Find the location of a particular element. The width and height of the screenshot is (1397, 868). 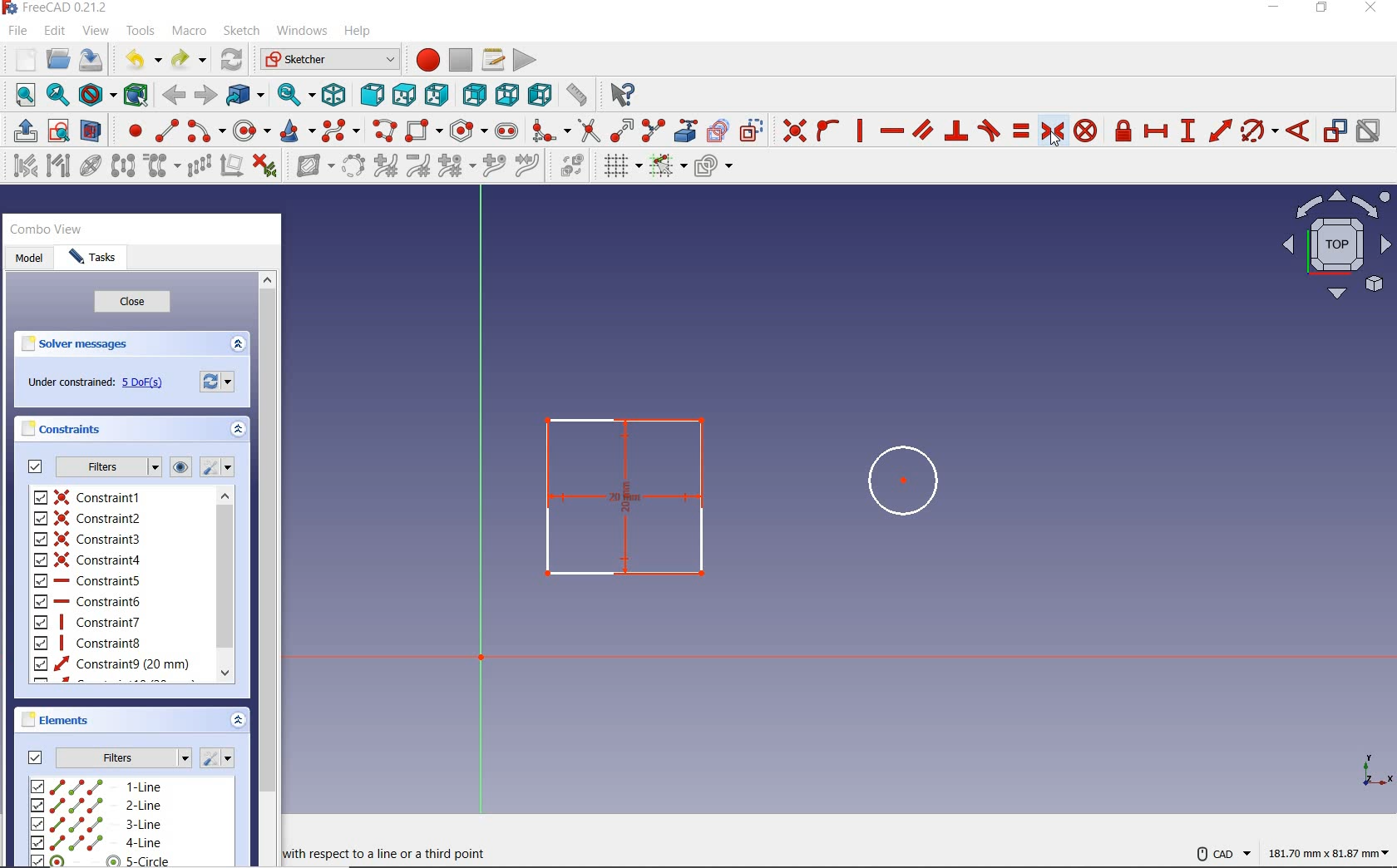

FreeCAD 0.21.2 is located at coordinates (57, 9).